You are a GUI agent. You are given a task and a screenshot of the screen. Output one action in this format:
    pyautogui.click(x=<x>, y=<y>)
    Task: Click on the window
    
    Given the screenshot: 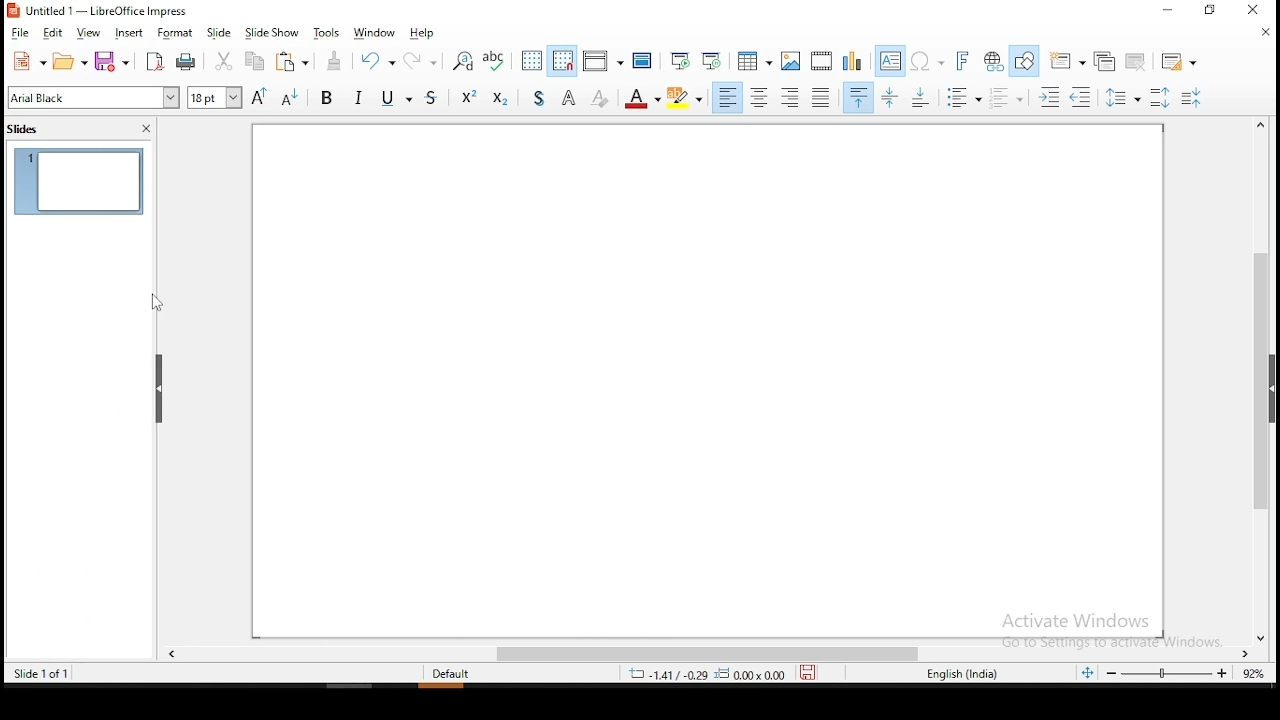 What is the action you would take?
    pyautogui.click(x=379, y=31)
    